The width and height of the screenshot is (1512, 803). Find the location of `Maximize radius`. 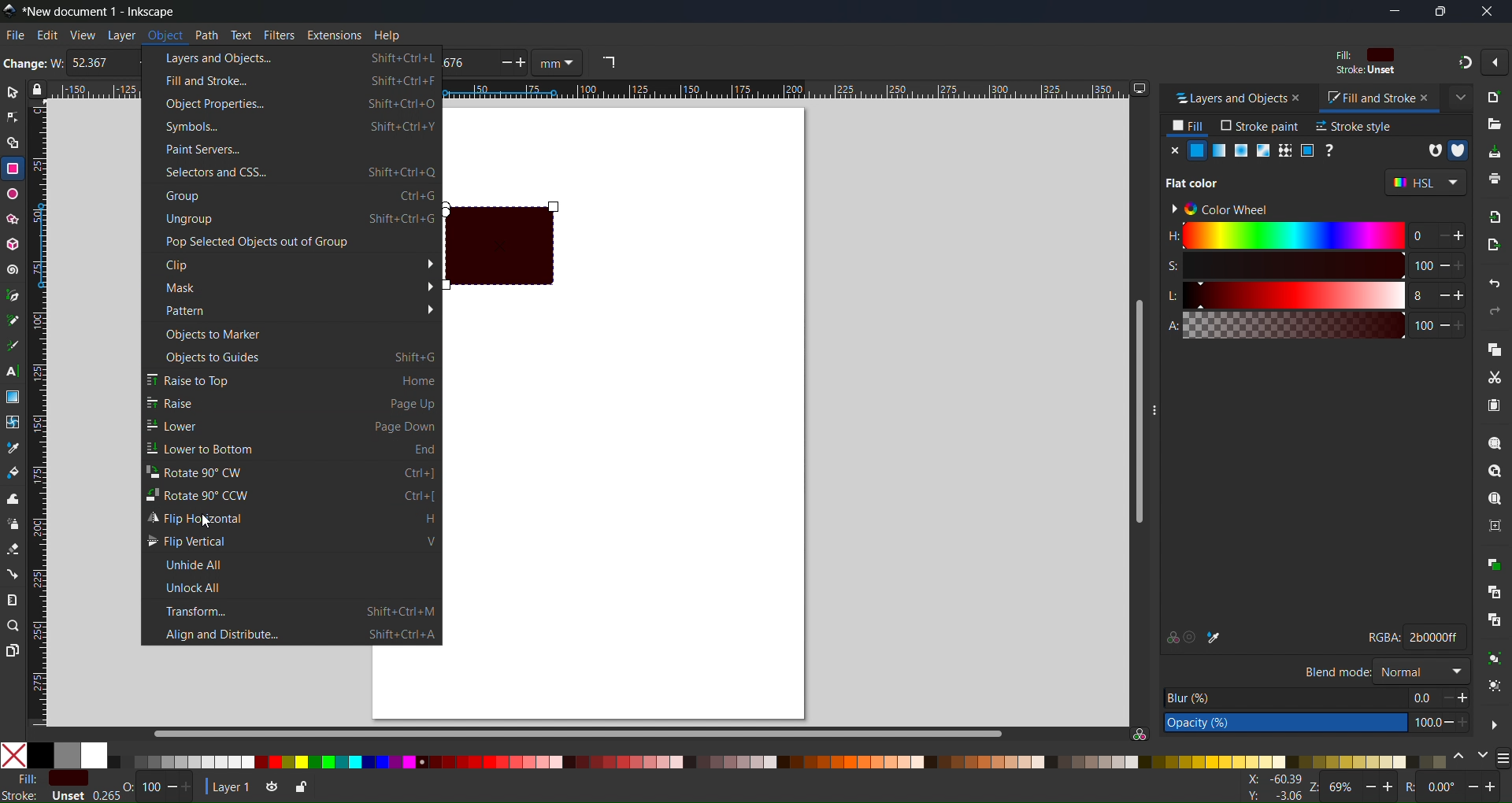

Maximize radius is located at coordinates (524, 64).